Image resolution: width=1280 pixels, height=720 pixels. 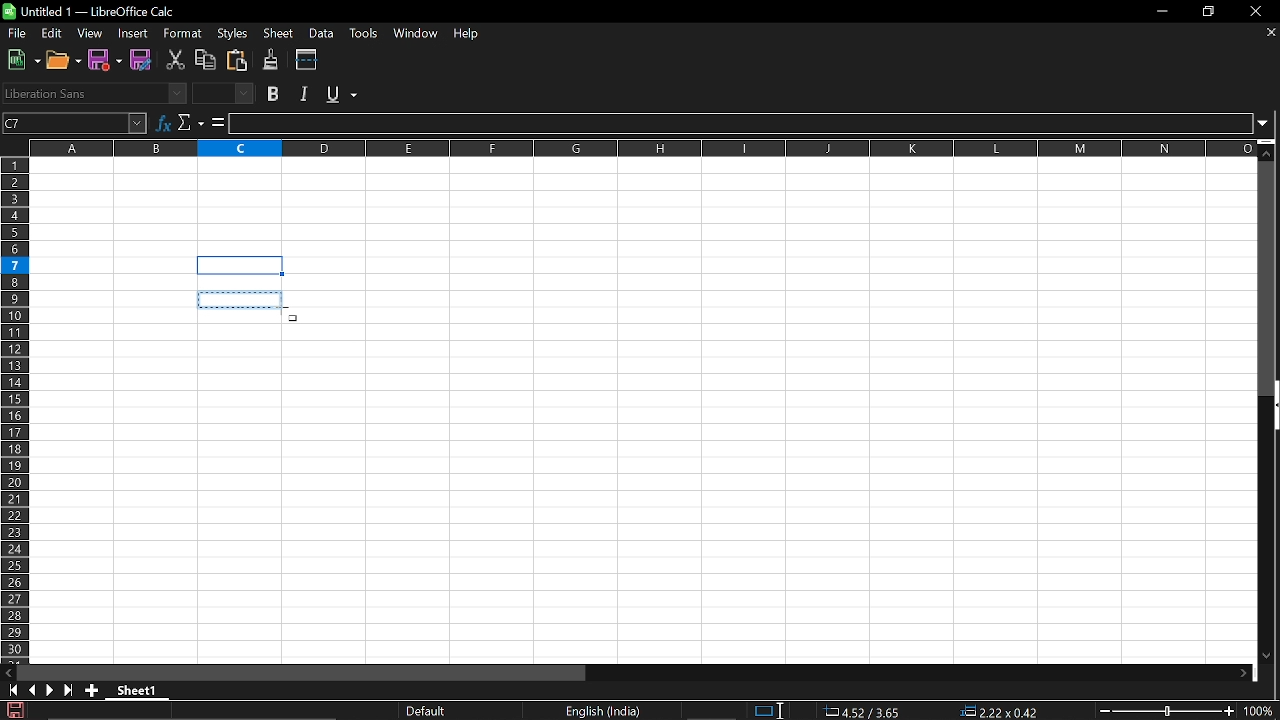 What do you see at coordinates (471, 35) in the screenshot?
I see `HElp` at bounding box center [471, 35].